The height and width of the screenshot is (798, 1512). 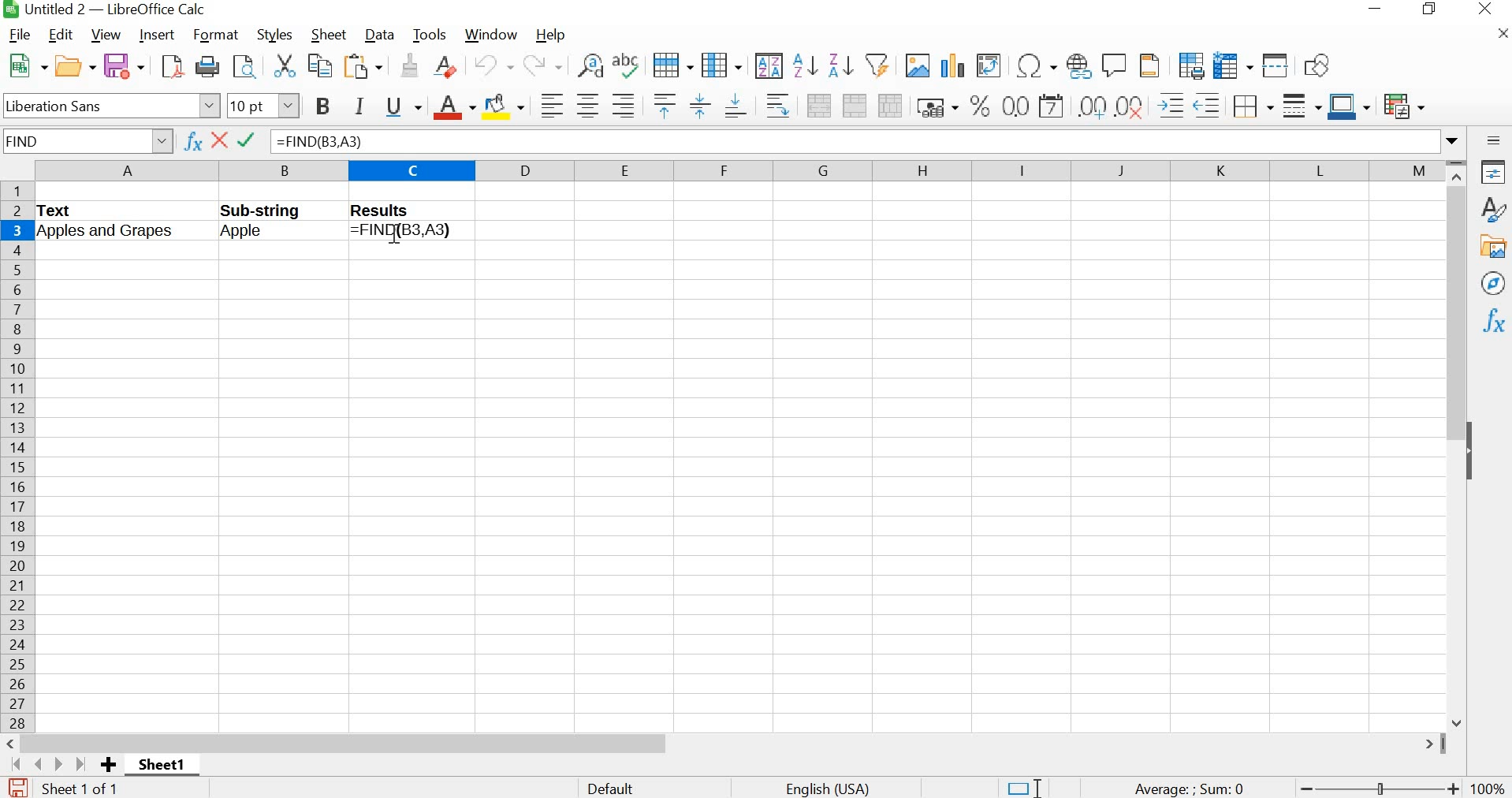 I want to click on edit, so click(x=62, y=35).